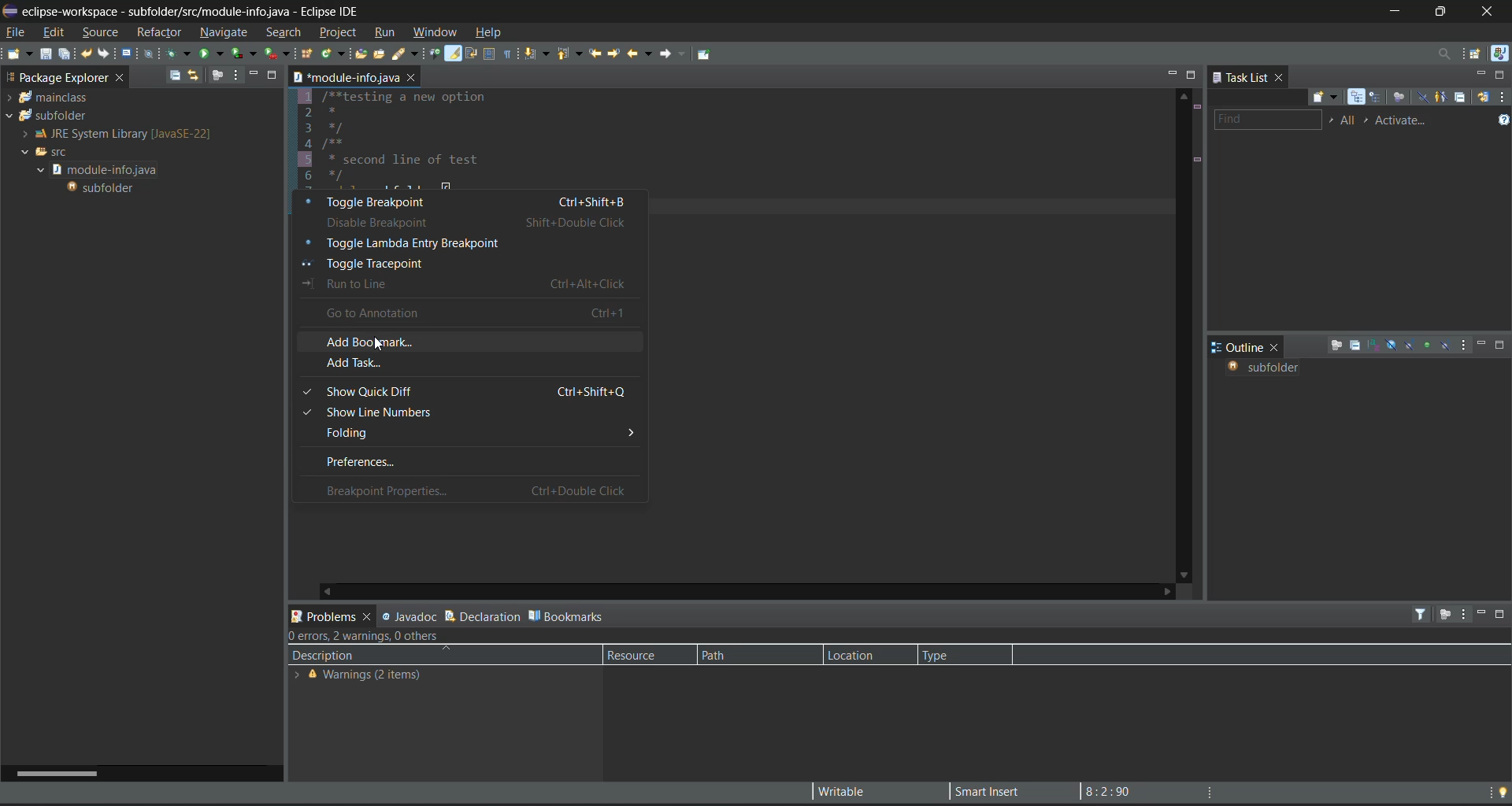  I want to click on collapse all, so click(175, 75).